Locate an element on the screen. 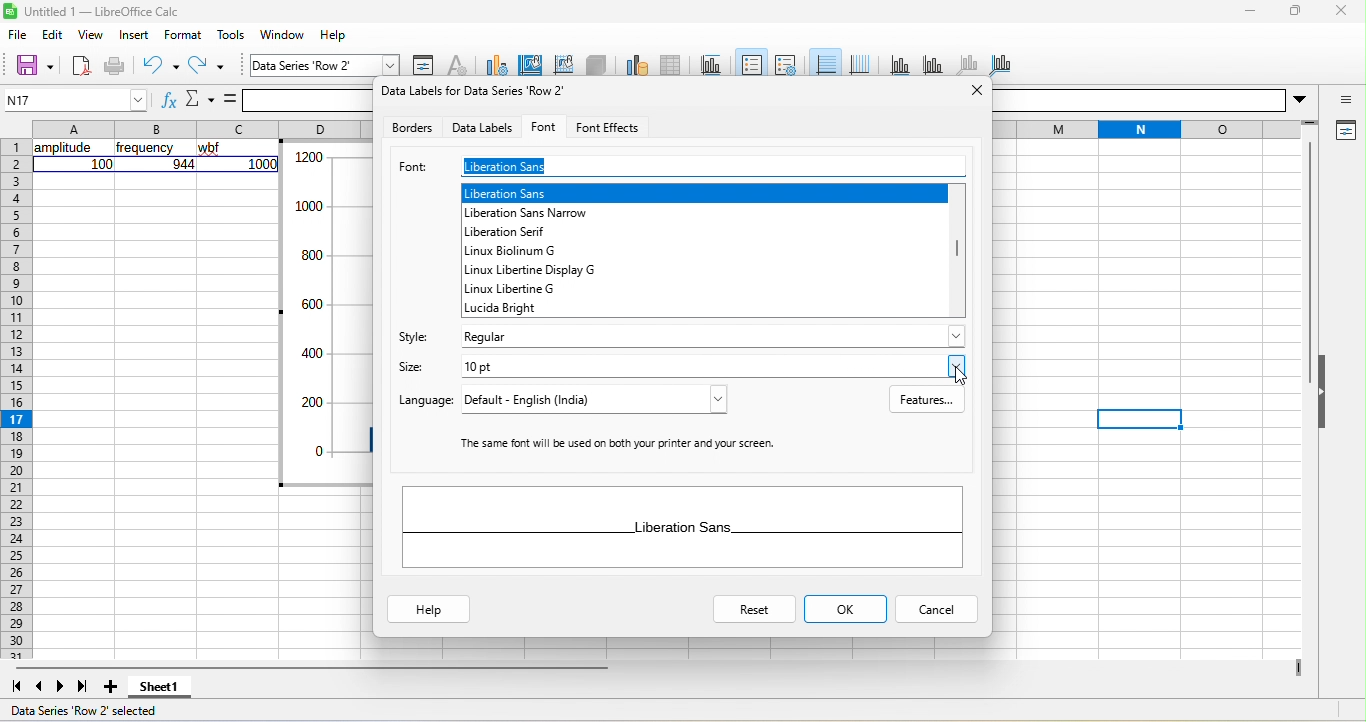  help is located at coordinates (332, 34).